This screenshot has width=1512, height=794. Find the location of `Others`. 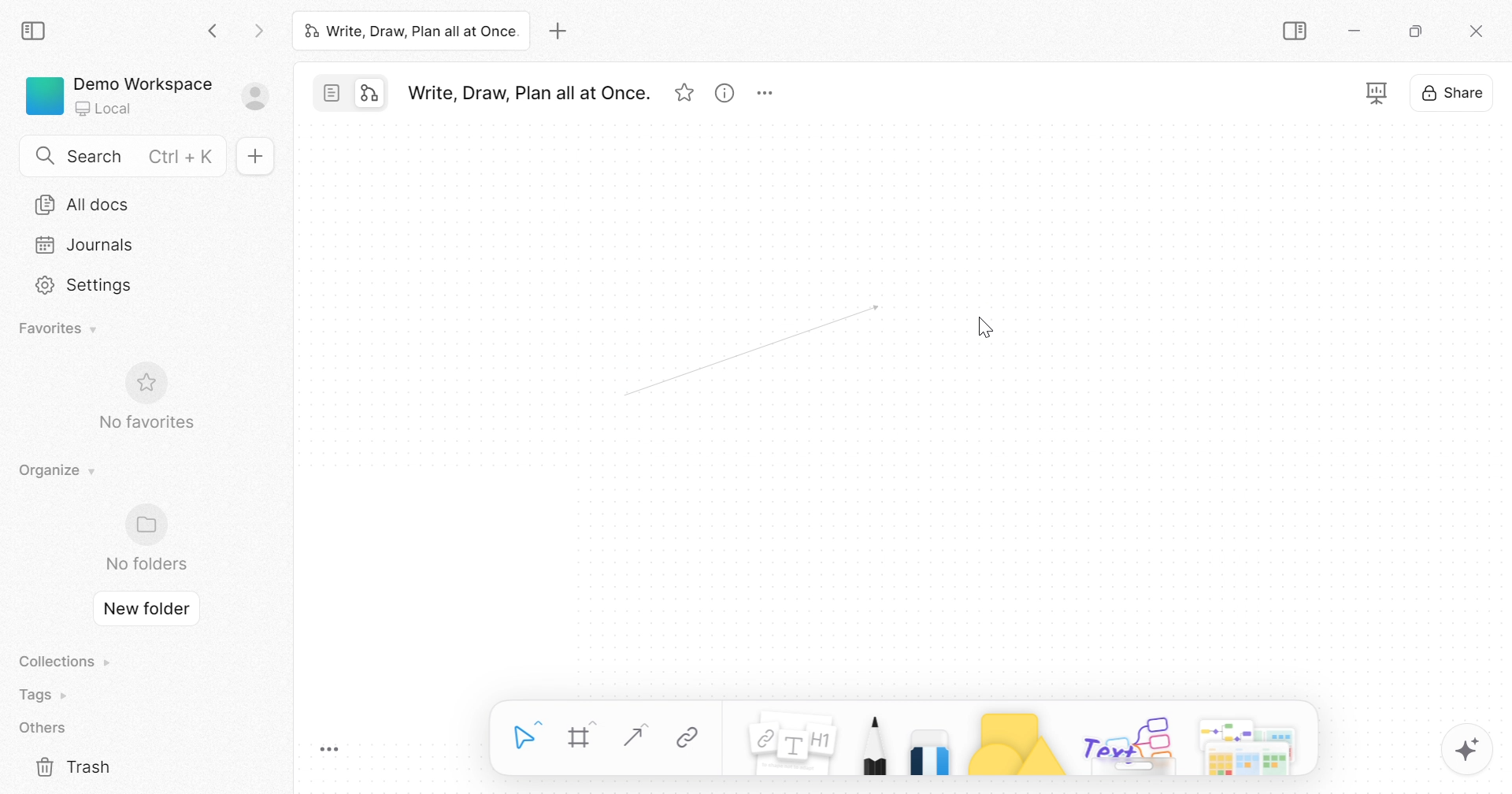

Others is located at coordinates (1129, 743).